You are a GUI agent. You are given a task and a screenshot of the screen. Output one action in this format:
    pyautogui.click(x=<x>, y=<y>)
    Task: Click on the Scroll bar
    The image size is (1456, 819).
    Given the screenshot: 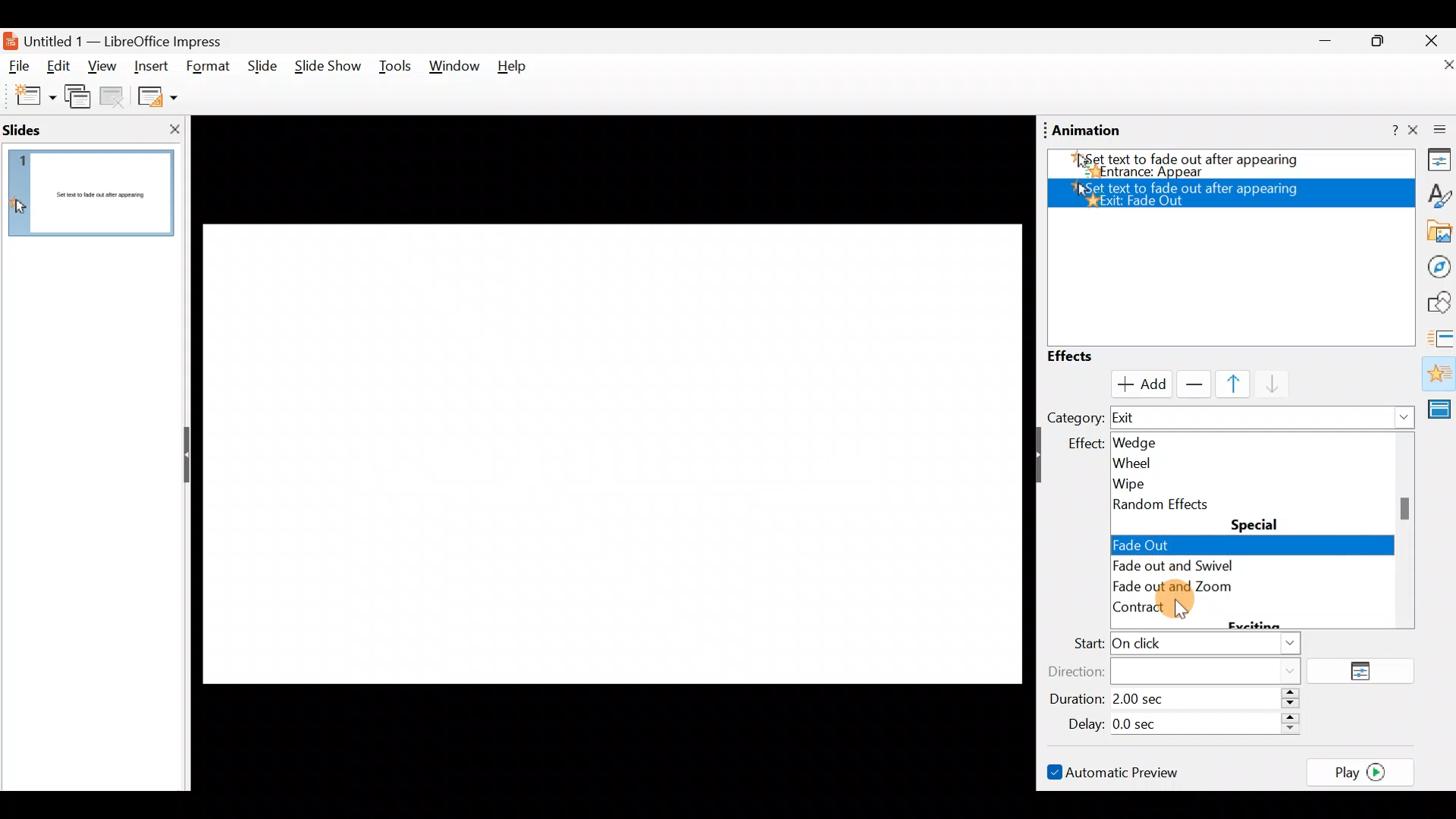 What is the action you would take?
    pyautogui.click(x=601, y=784)
    